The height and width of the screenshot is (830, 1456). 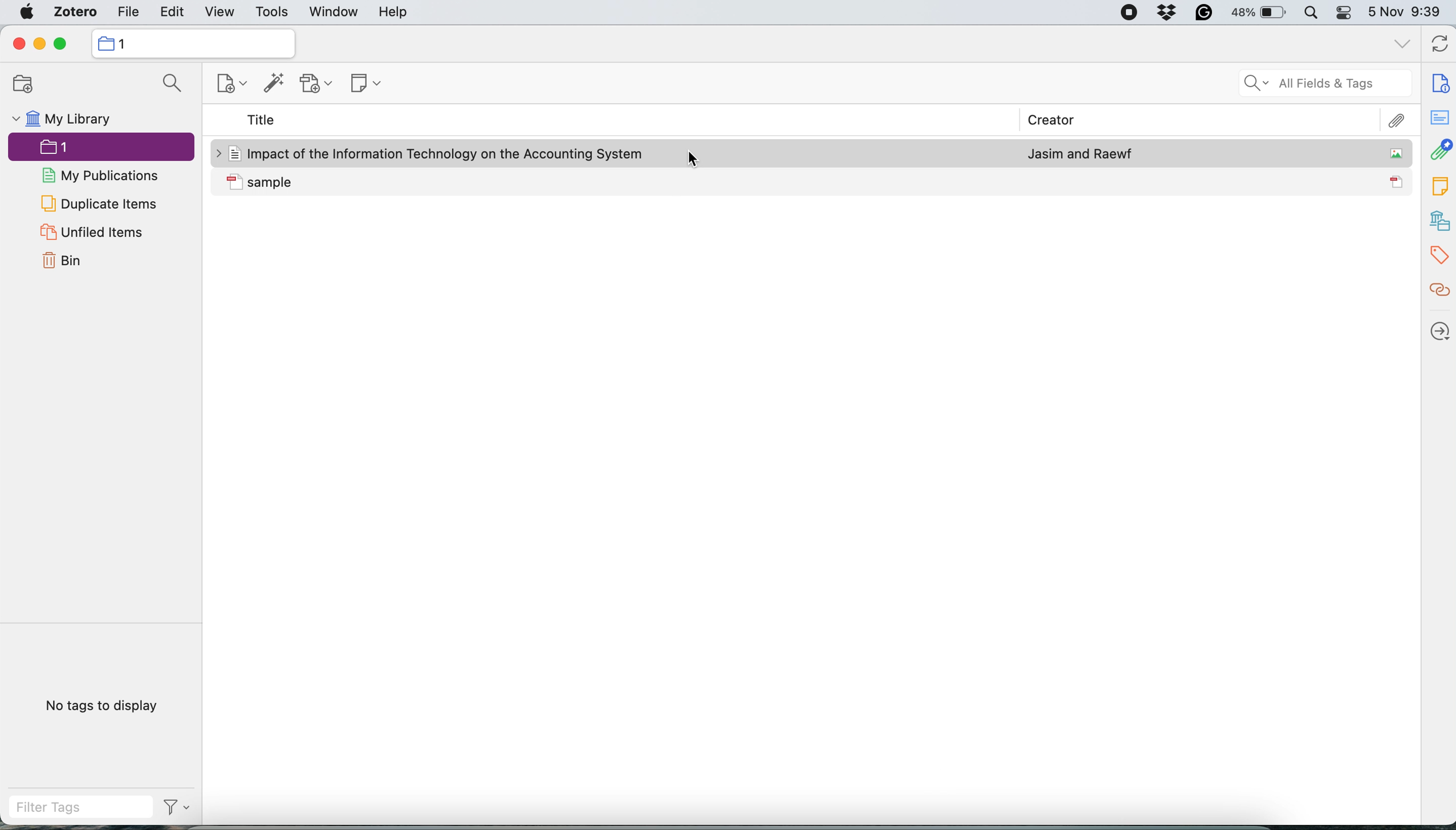 What do you see at coordinates (438, 153) in the screenshot?
I see `"Impact of the Information Technology on the Accounting System" file` at bounding box center [438, 153].